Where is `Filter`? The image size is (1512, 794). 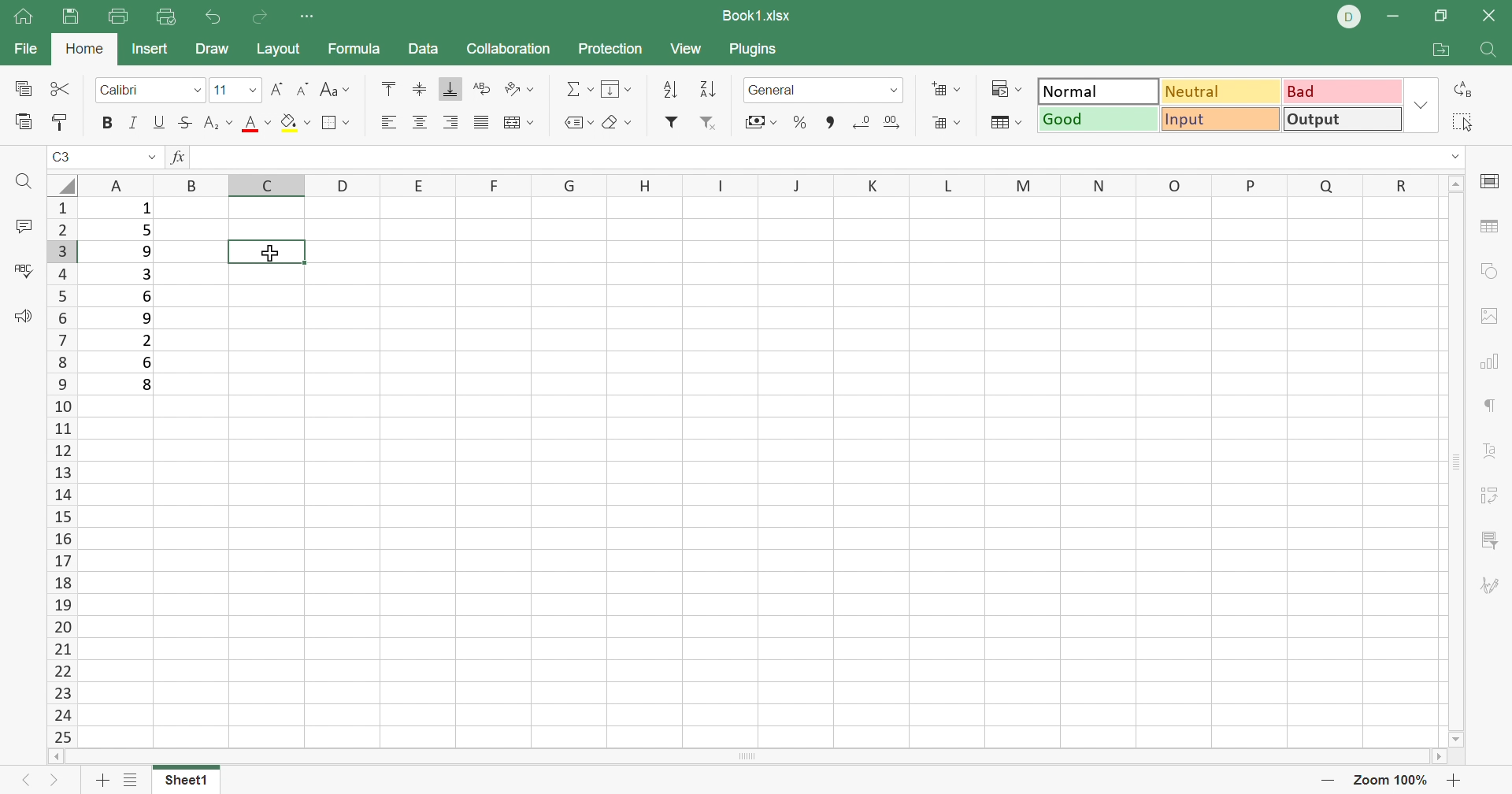 Filter is located at coordinates (672, 121).